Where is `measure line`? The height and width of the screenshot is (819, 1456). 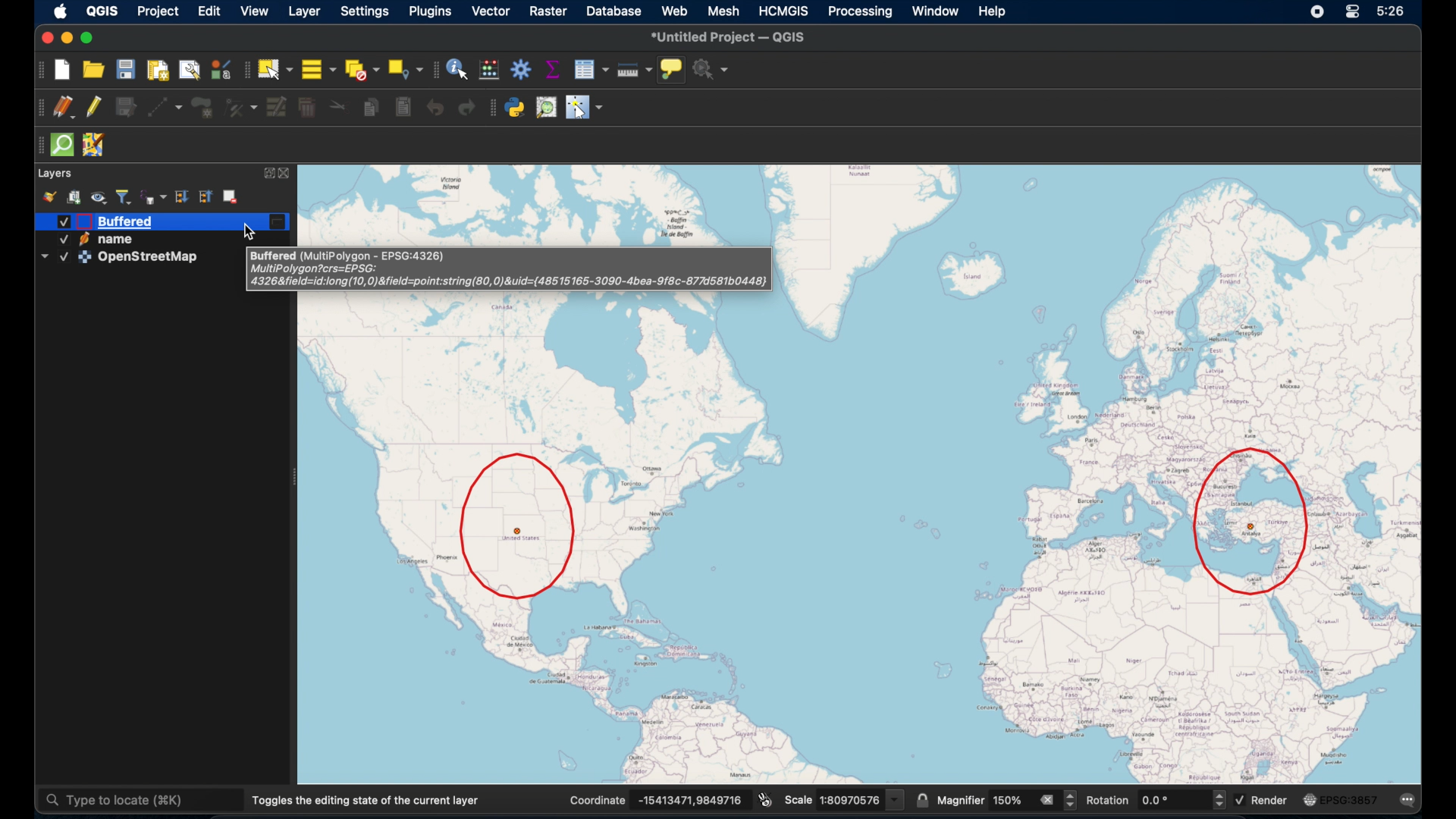
measure line is located at coordinates (635, 70).